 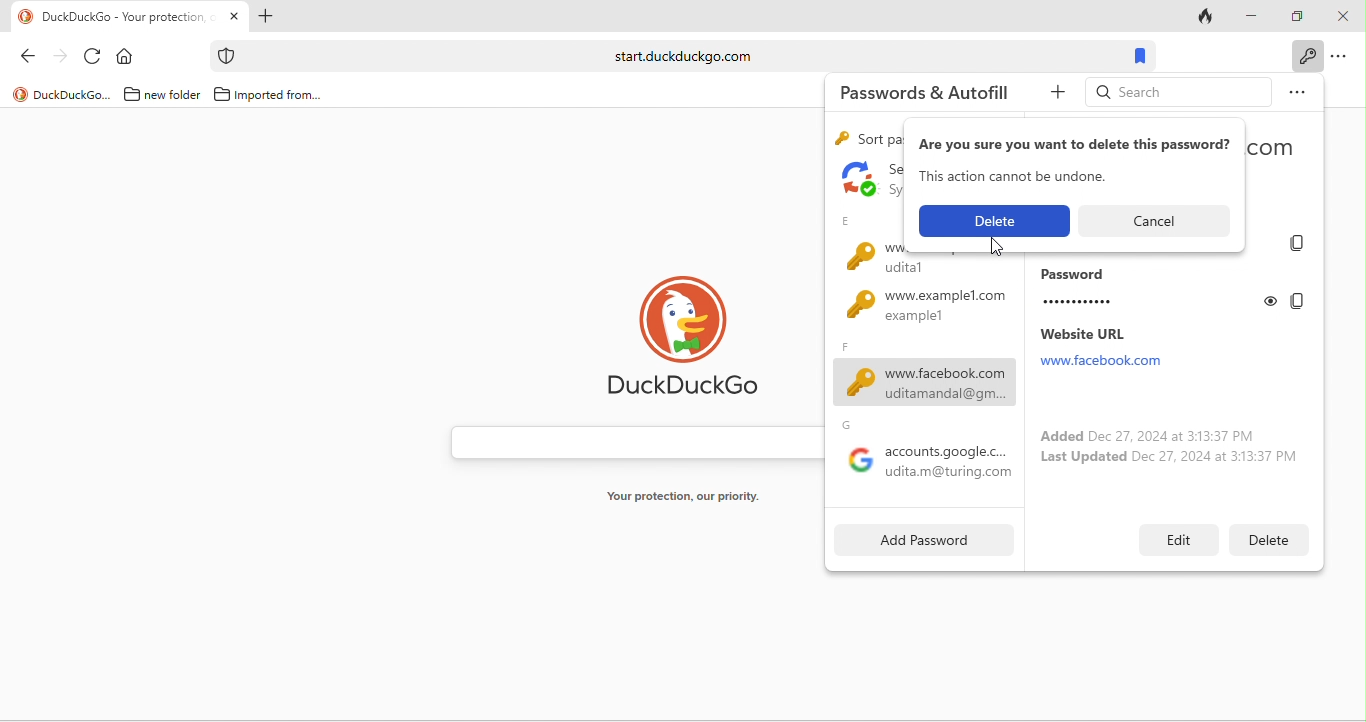 I want to click on copy, so click(x=1296, y=301).